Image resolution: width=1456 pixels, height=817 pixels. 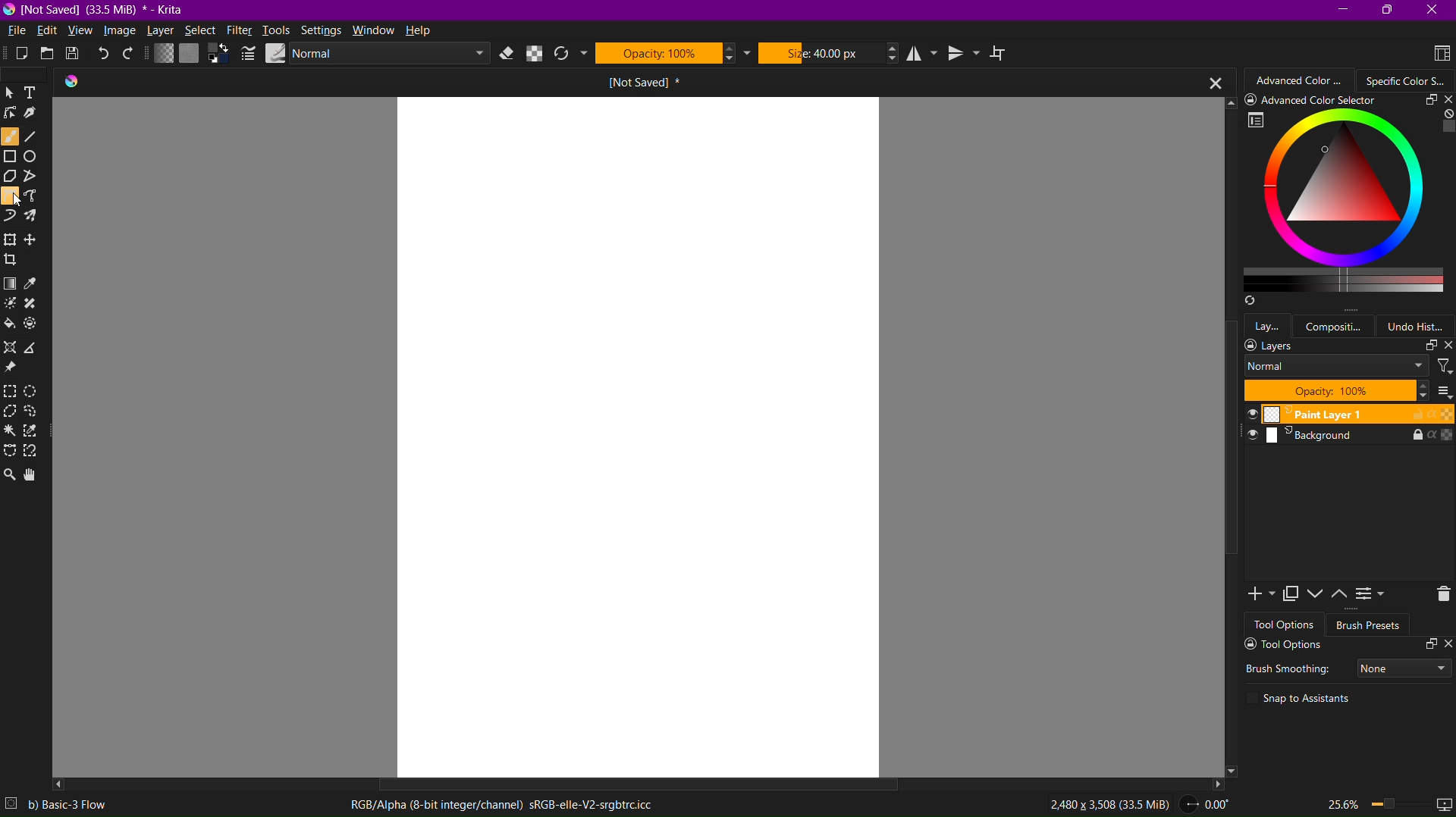 I want to click on Calligraphy, so click(x=39, y=116).